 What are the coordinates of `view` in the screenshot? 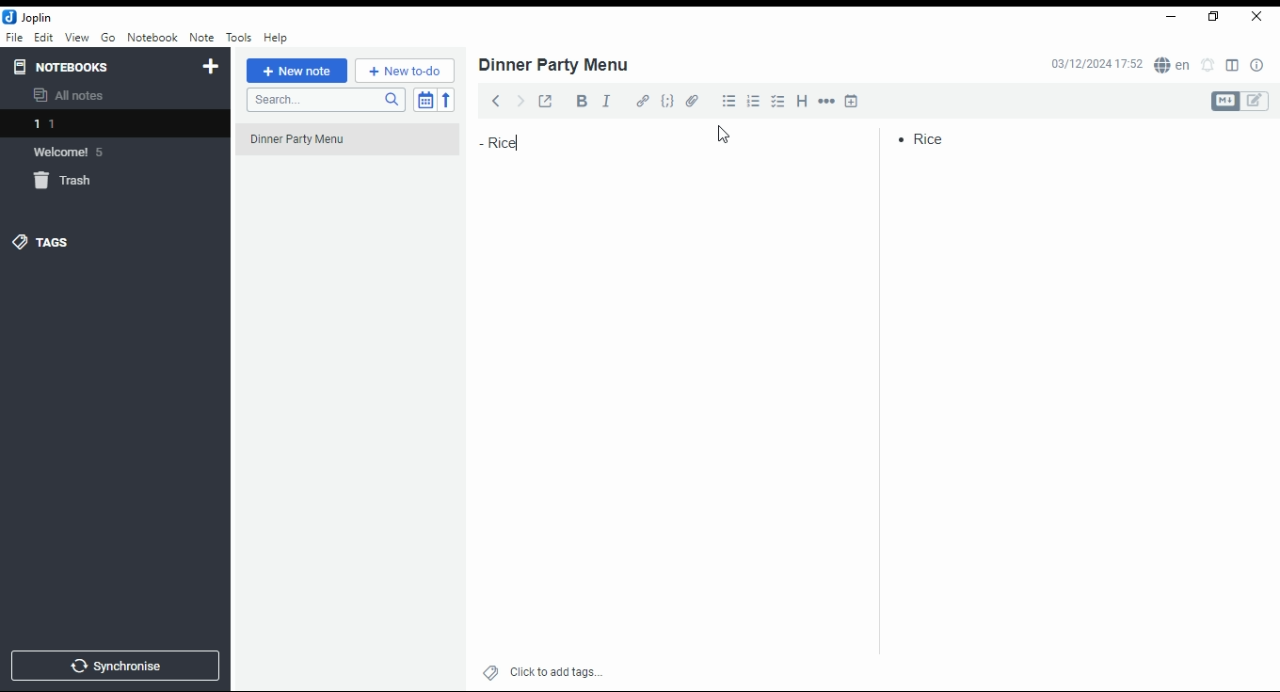 It's located at (76, 38).